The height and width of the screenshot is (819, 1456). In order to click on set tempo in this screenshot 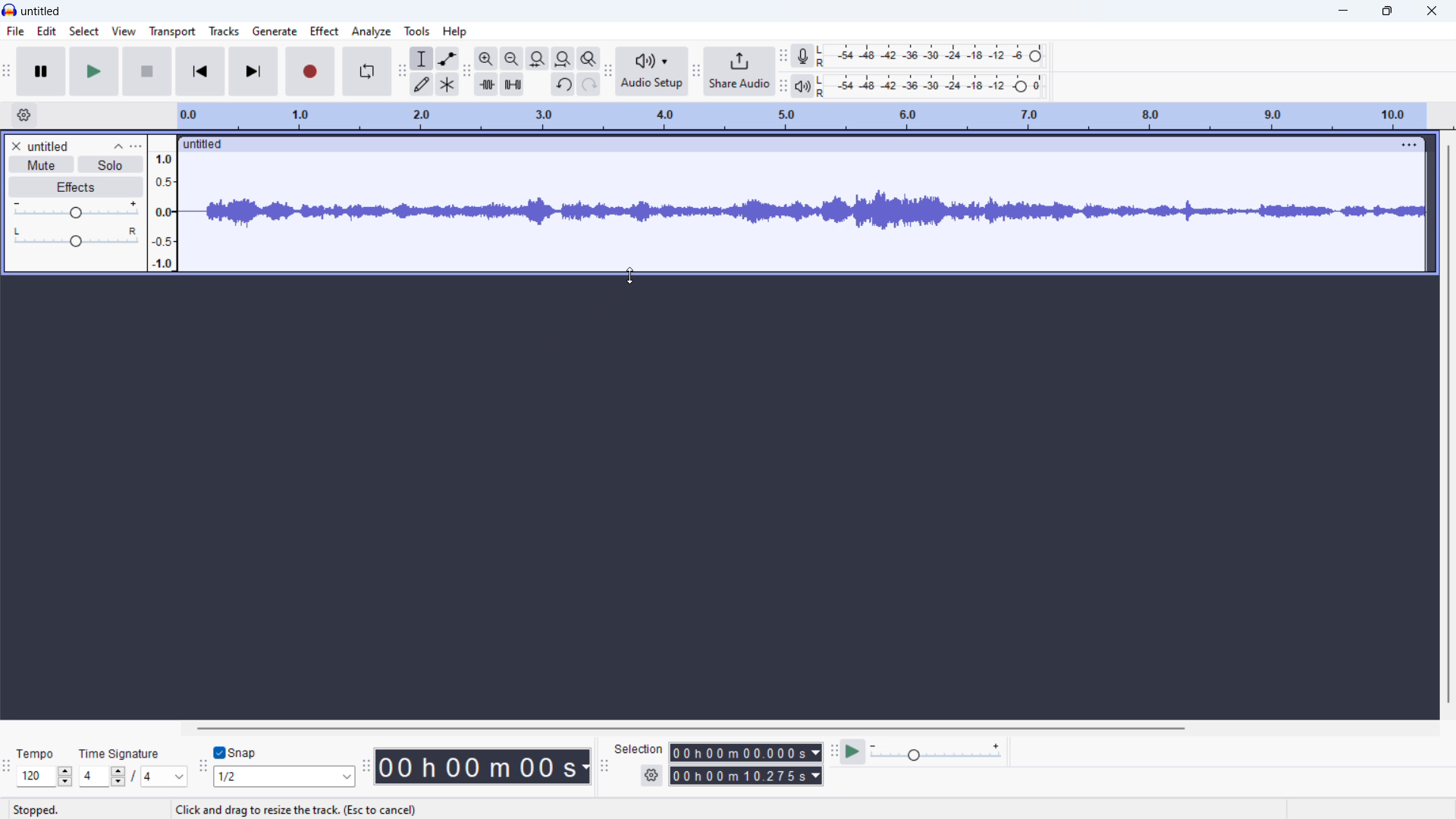, I will do `click(44, 777)`.